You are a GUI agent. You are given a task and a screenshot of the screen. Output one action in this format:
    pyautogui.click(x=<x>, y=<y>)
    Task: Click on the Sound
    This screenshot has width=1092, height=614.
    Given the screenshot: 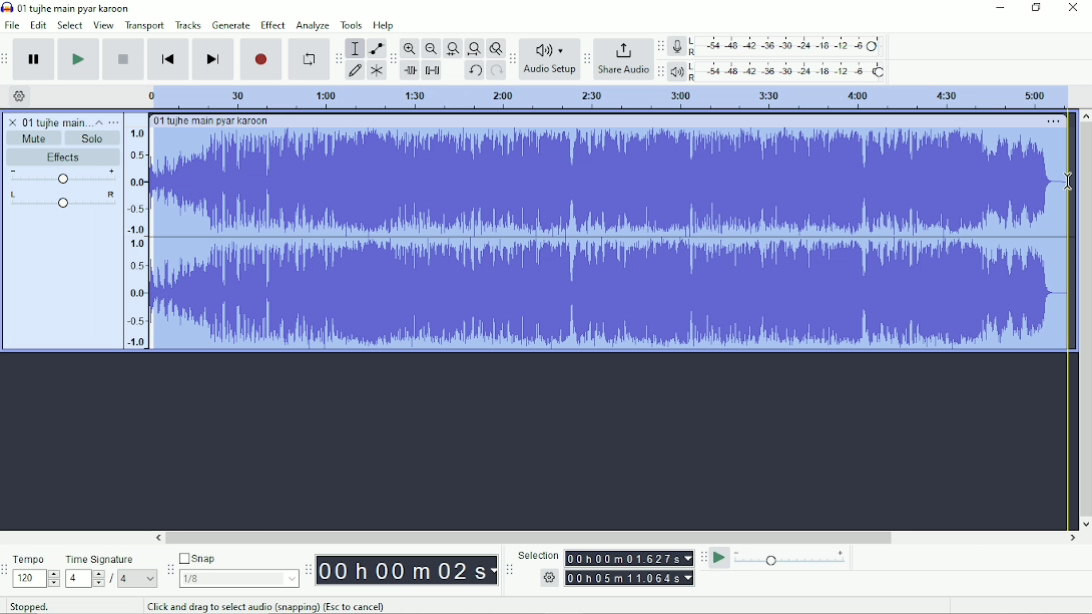 What is the action you would take?
    pyautogui.click(x=135, y=232)
    